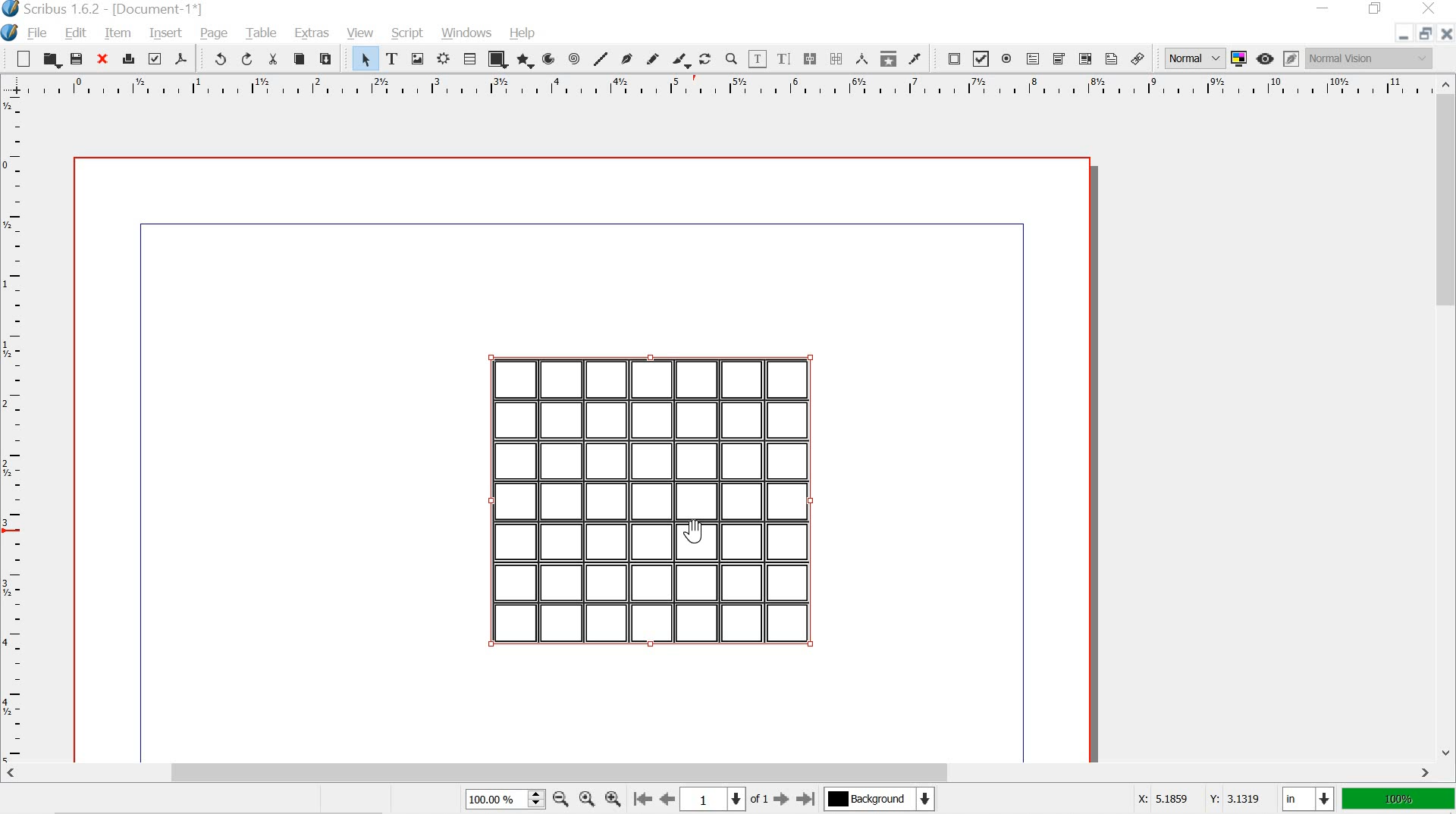 The height and width of the screenshot is (814, 1456). What do you see at coordinates (697, 532) in the screenshot?
I see `cursor` at bounding box center [697, 532].